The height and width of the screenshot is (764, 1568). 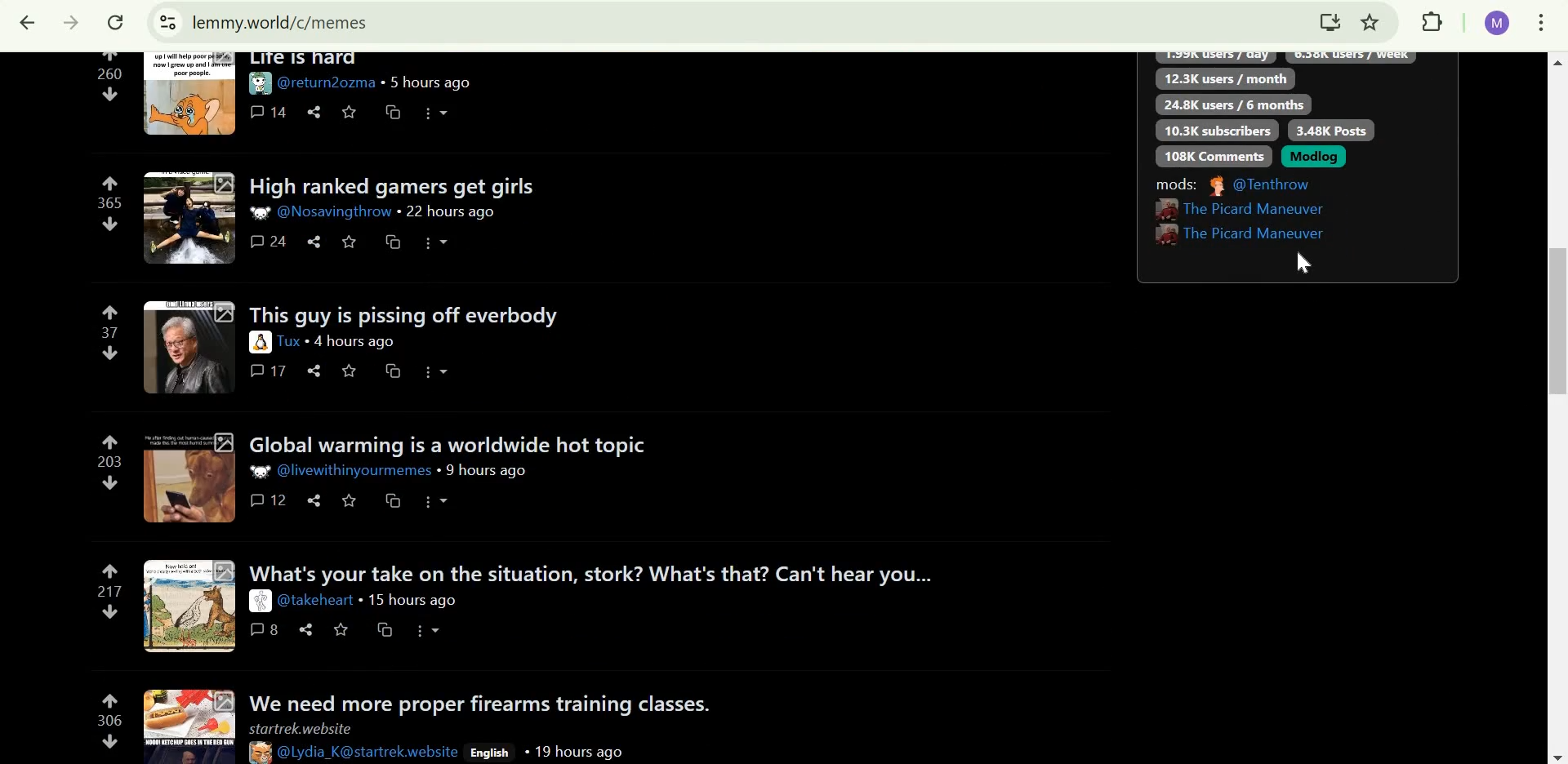 What do you see at coordinates (489, 700) in the screenshot?
I see `we need more proper firearms training classes. ` at bounding box center [489, 700].